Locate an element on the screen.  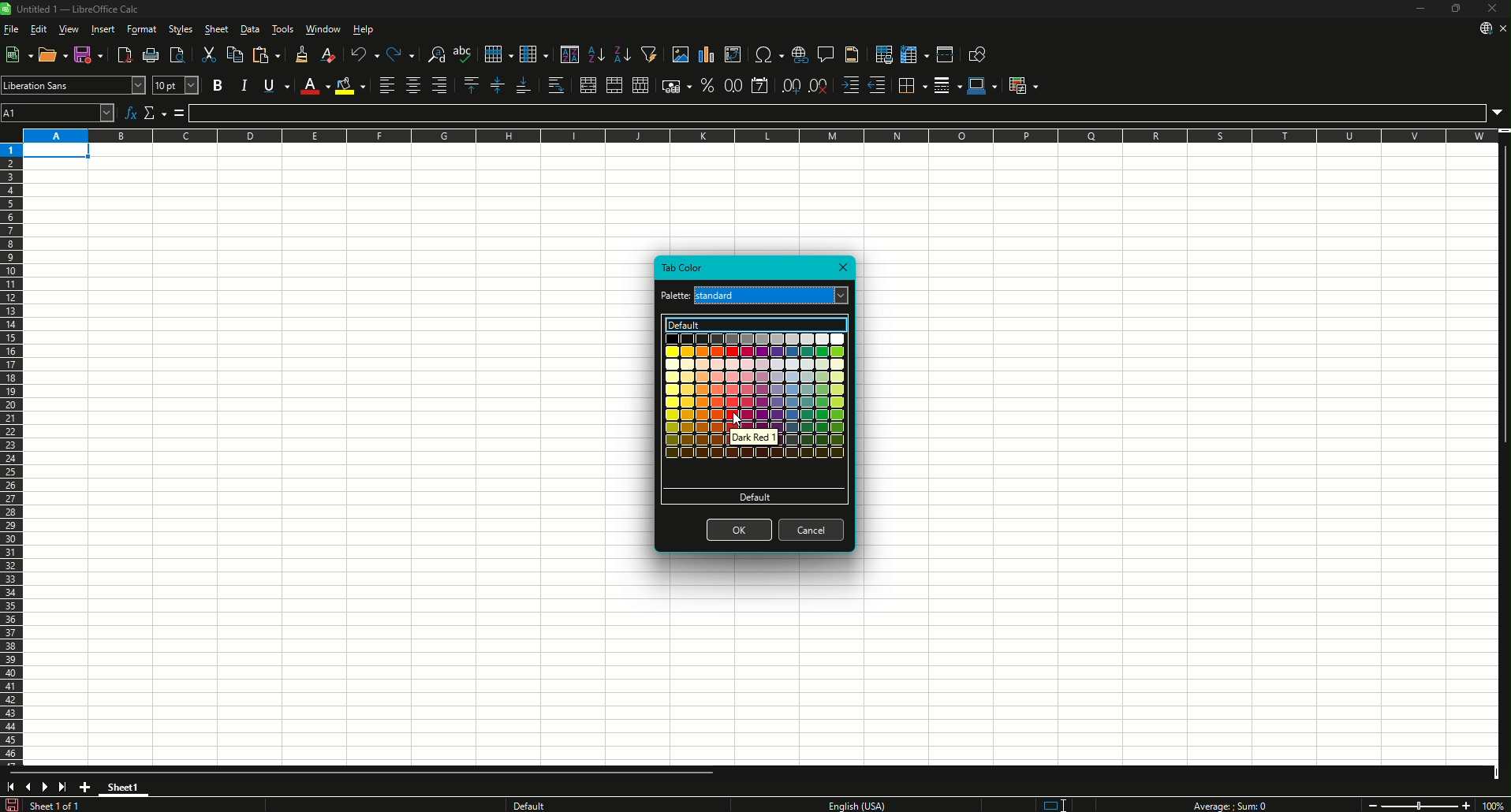
Column names is located at coordinates (759, 136).